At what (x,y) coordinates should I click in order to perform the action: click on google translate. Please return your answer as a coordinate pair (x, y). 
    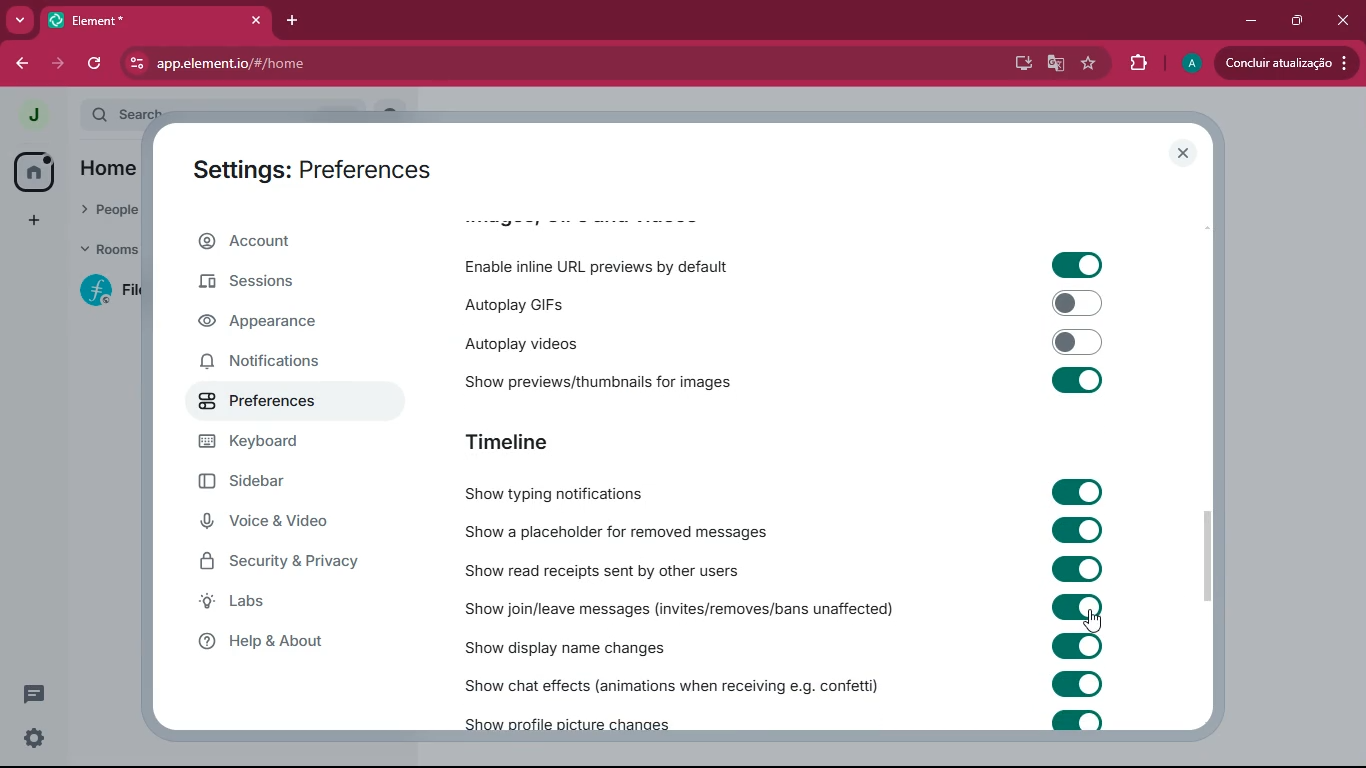
    Looking at the image, I should click on (1060, 63).